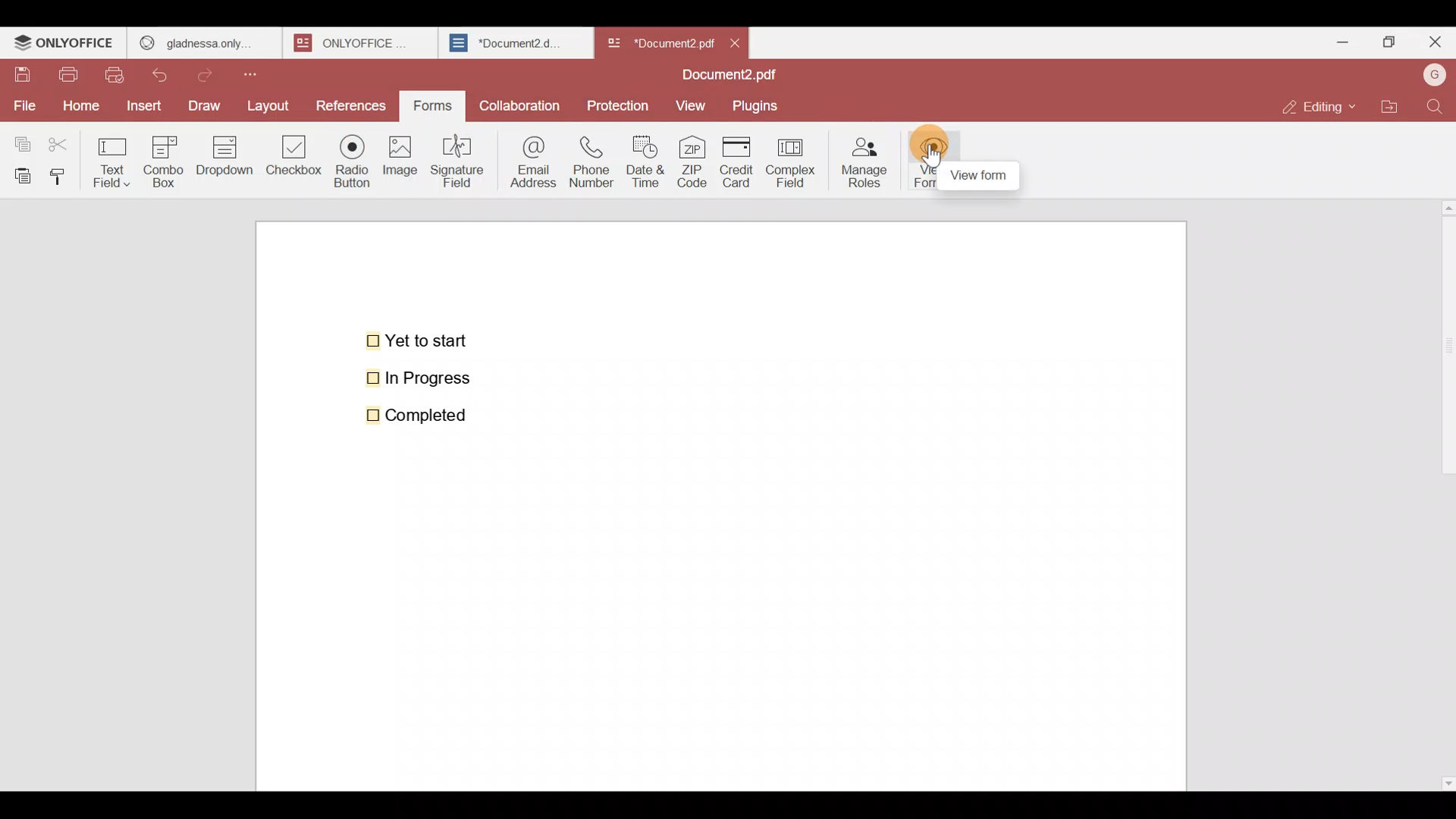 This screenshot has width=1456, height=819. What do you see at coordinates (1435, 106) in the screenshot?
I see `Find` at bounding box center [1435, 106].